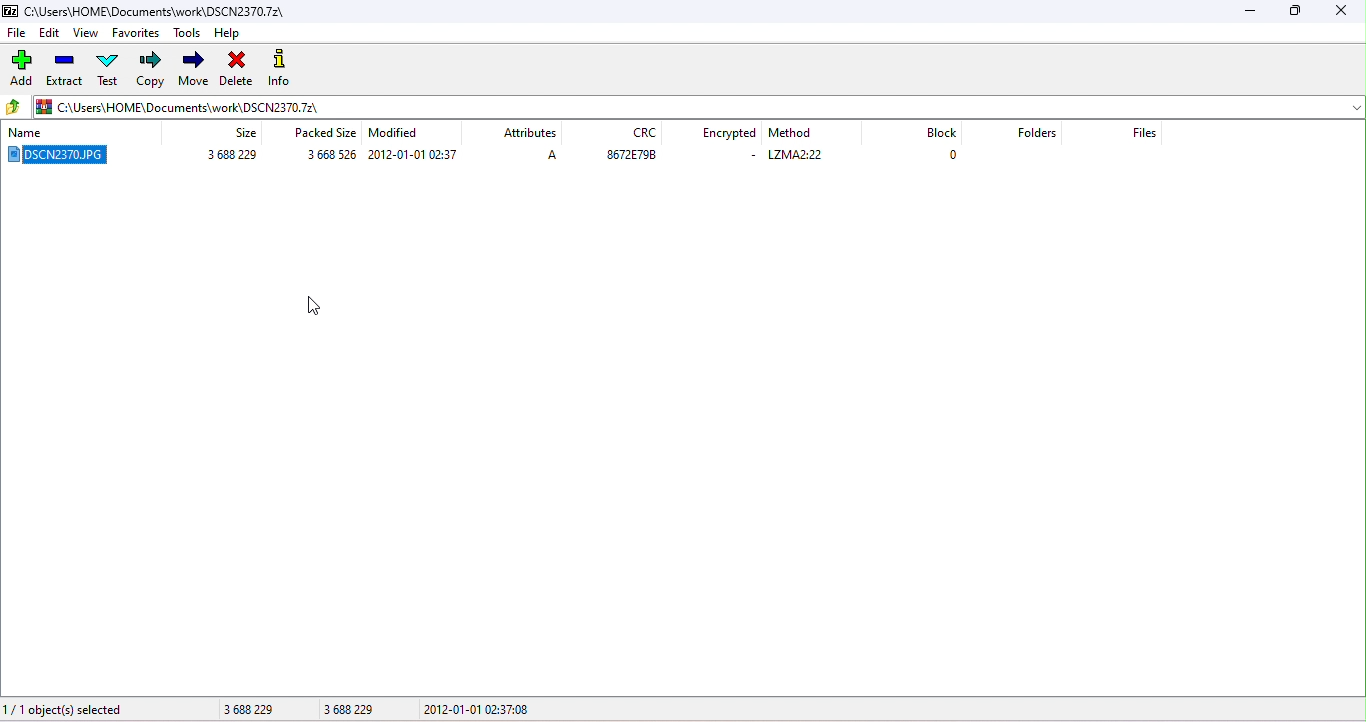  Describe the element at coordinates (1341, 12) in the screenshot. I see `close` at that location.